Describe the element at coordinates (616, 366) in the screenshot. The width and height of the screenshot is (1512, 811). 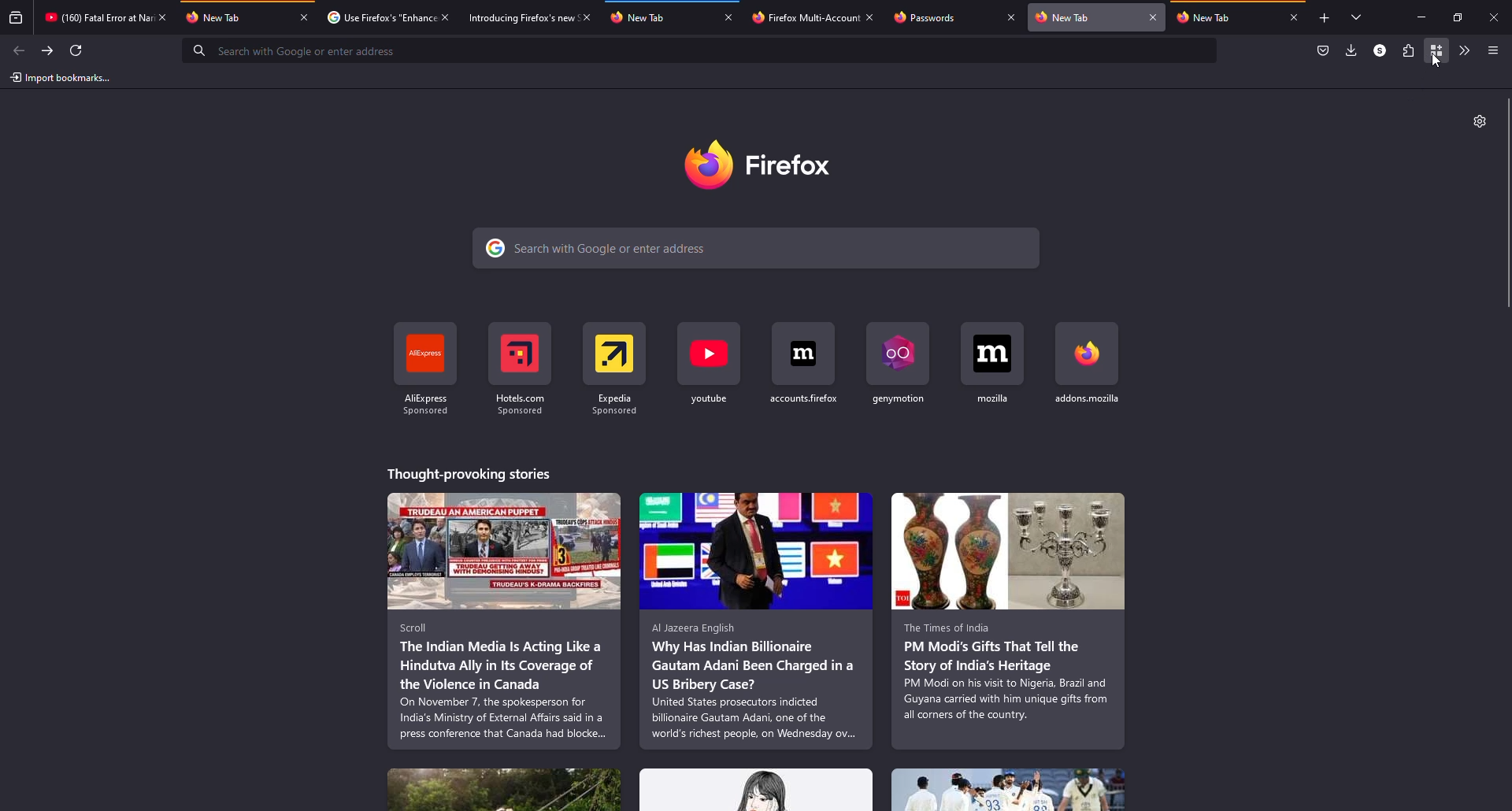
I see `shortcut` at that location.